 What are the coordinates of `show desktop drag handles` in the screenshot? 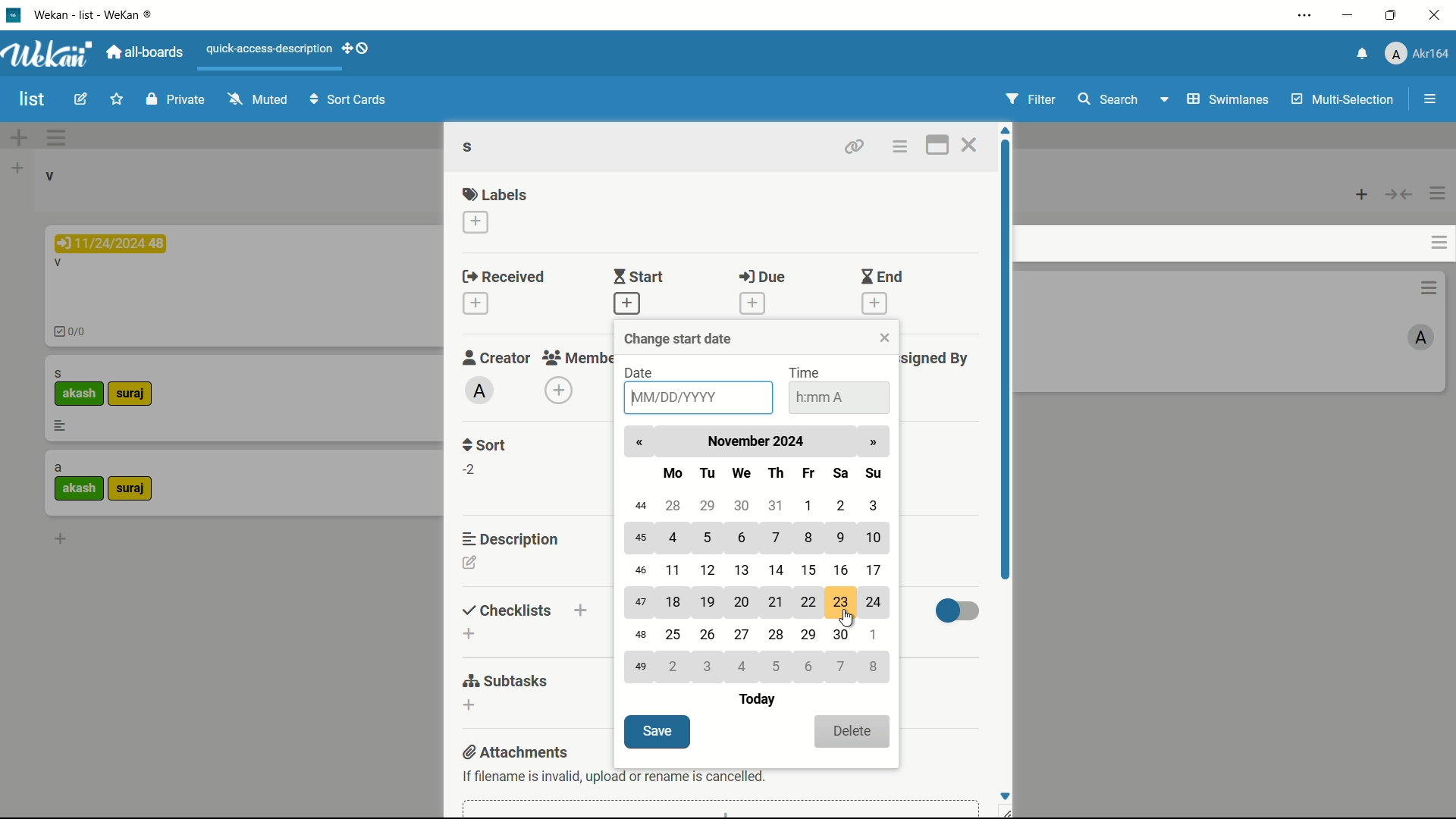 It's located at (358, 48).